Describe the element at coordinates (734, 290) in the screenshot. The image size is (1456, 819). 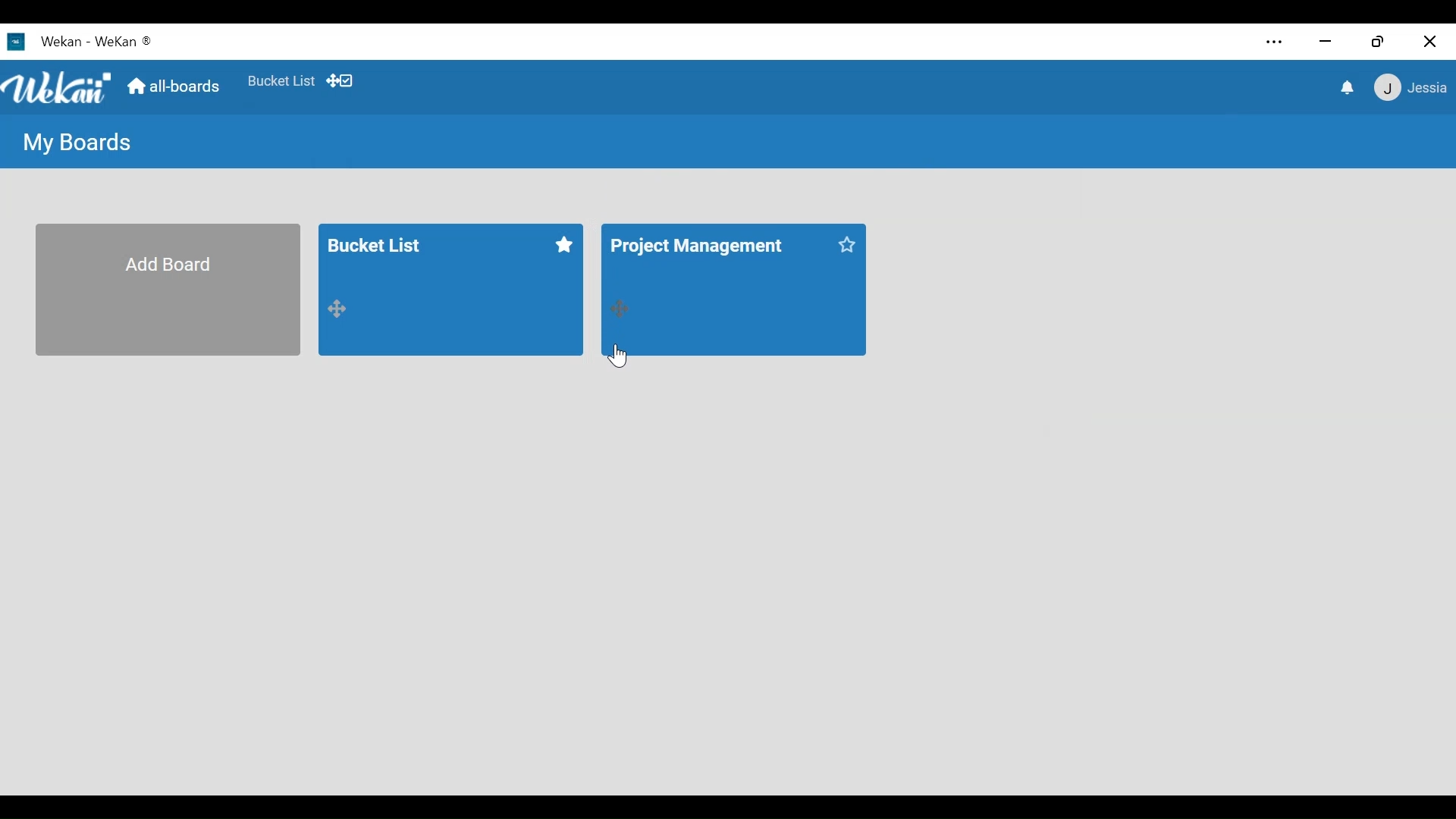
I see `Board` at that location.